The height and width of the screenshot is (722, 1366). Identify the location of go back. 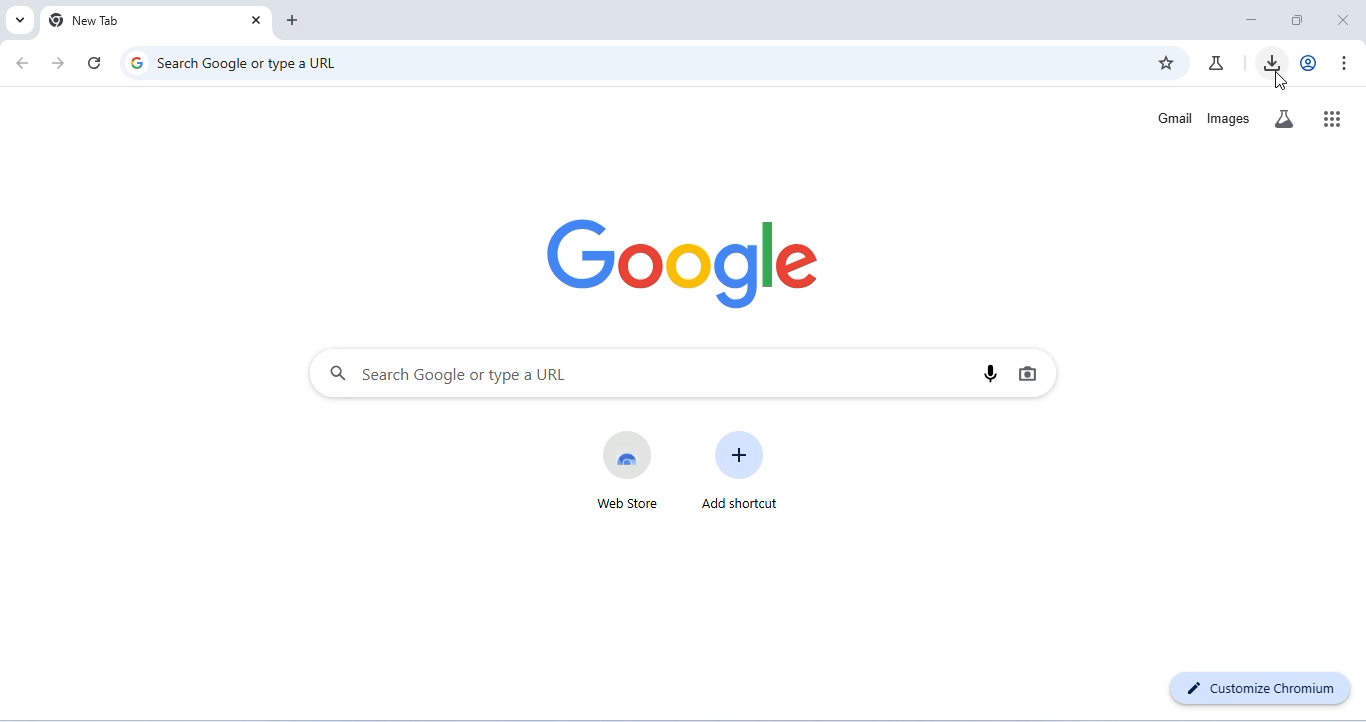
(26, 65).